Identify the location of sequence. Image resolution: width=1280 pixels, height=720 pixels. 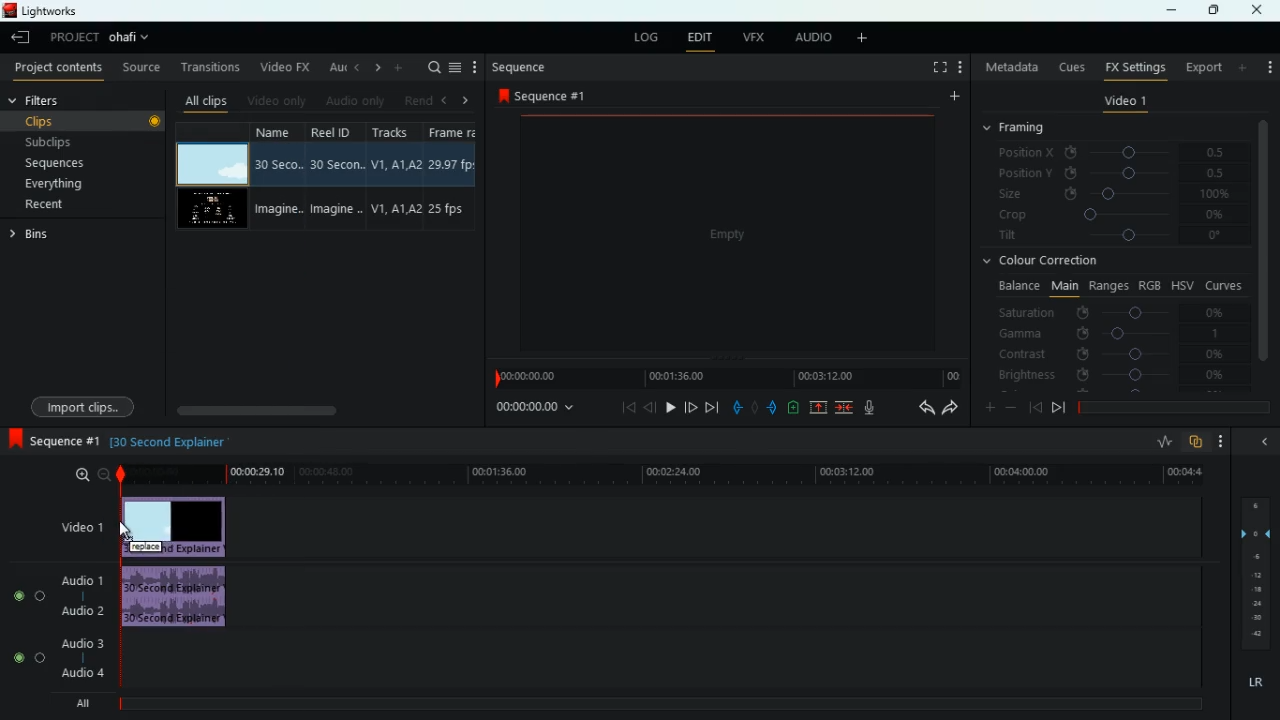
(51, 439).